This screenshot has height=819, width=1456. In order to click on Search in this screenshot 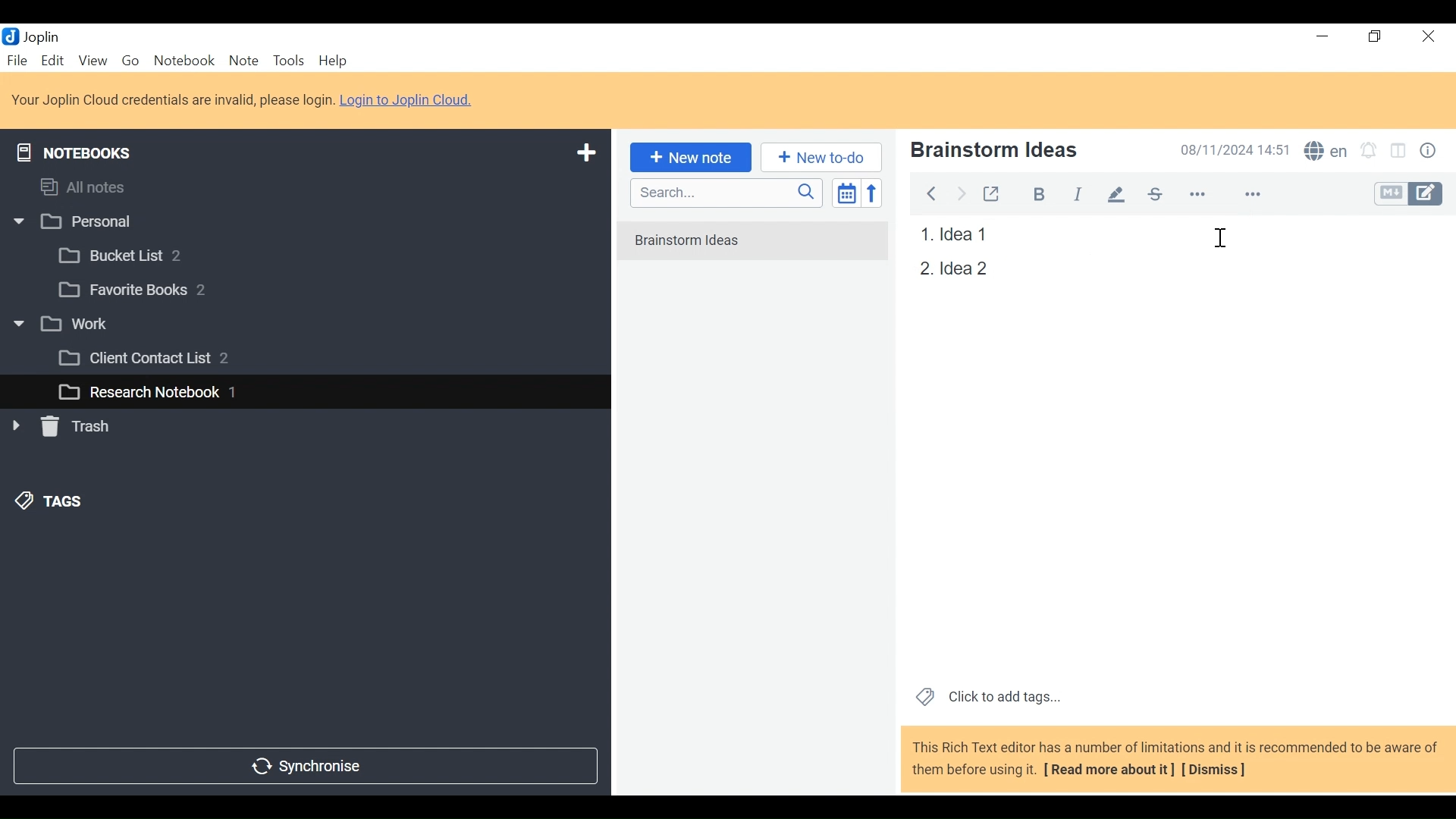, I will do `click(724, 193)`.